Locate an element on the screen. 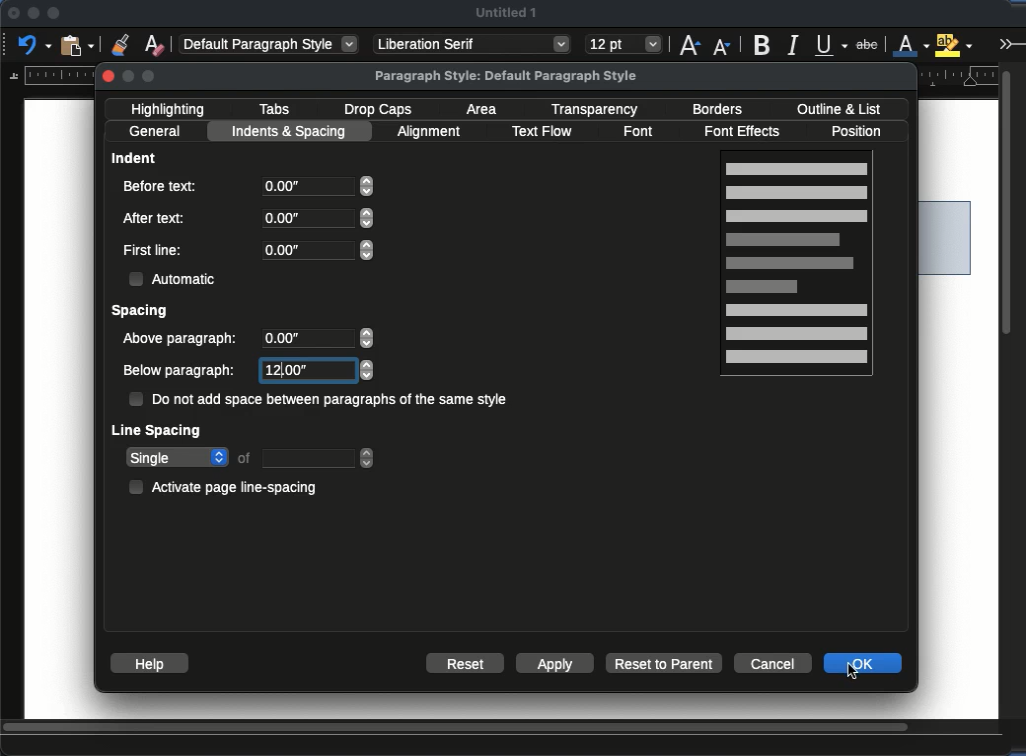 This screenshot has height=756, width=1026. general  is located at coordinates (156, 132).